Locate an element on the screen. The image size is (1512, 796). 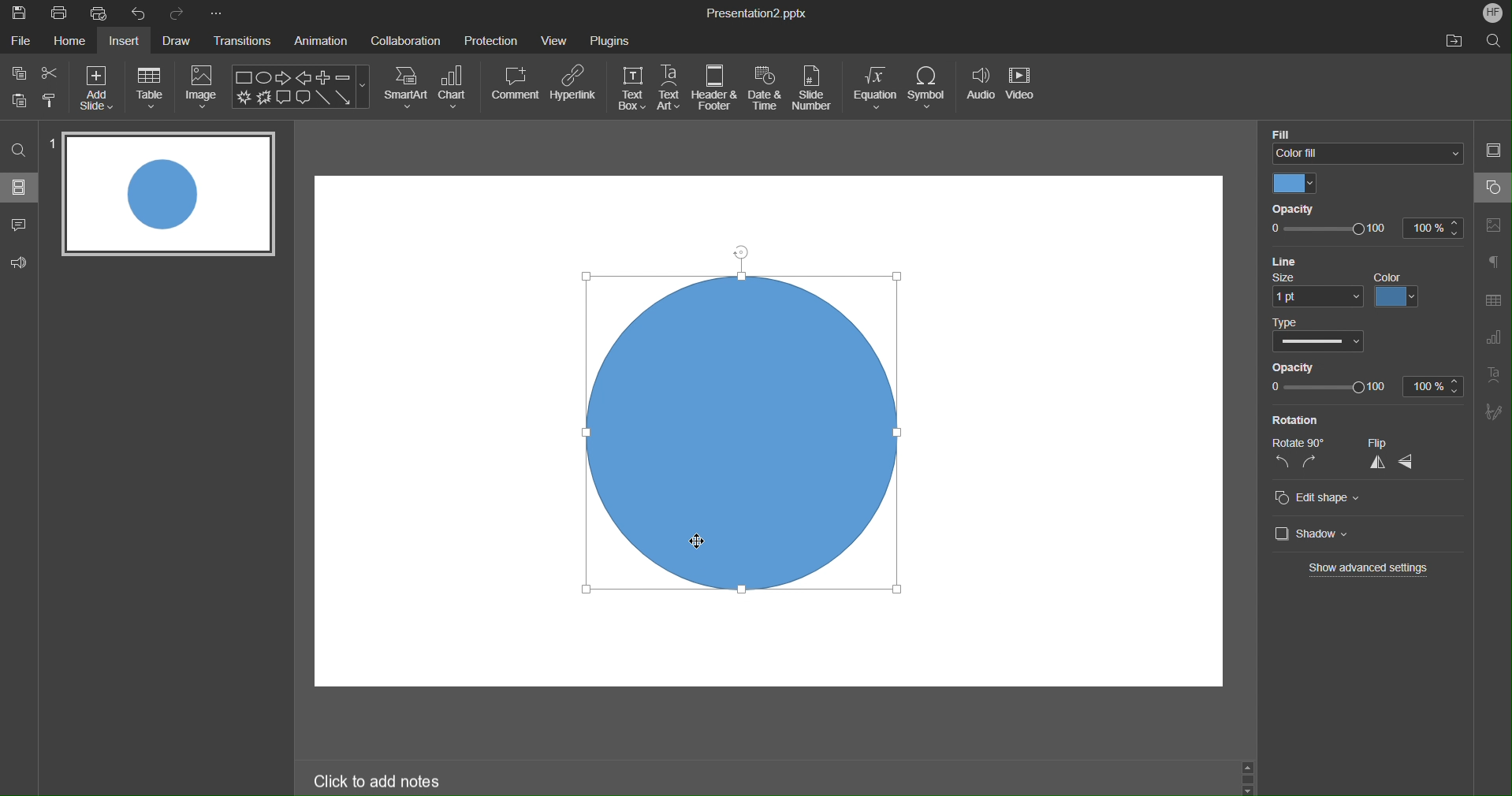
Comment is located at coordinates (20, 221).